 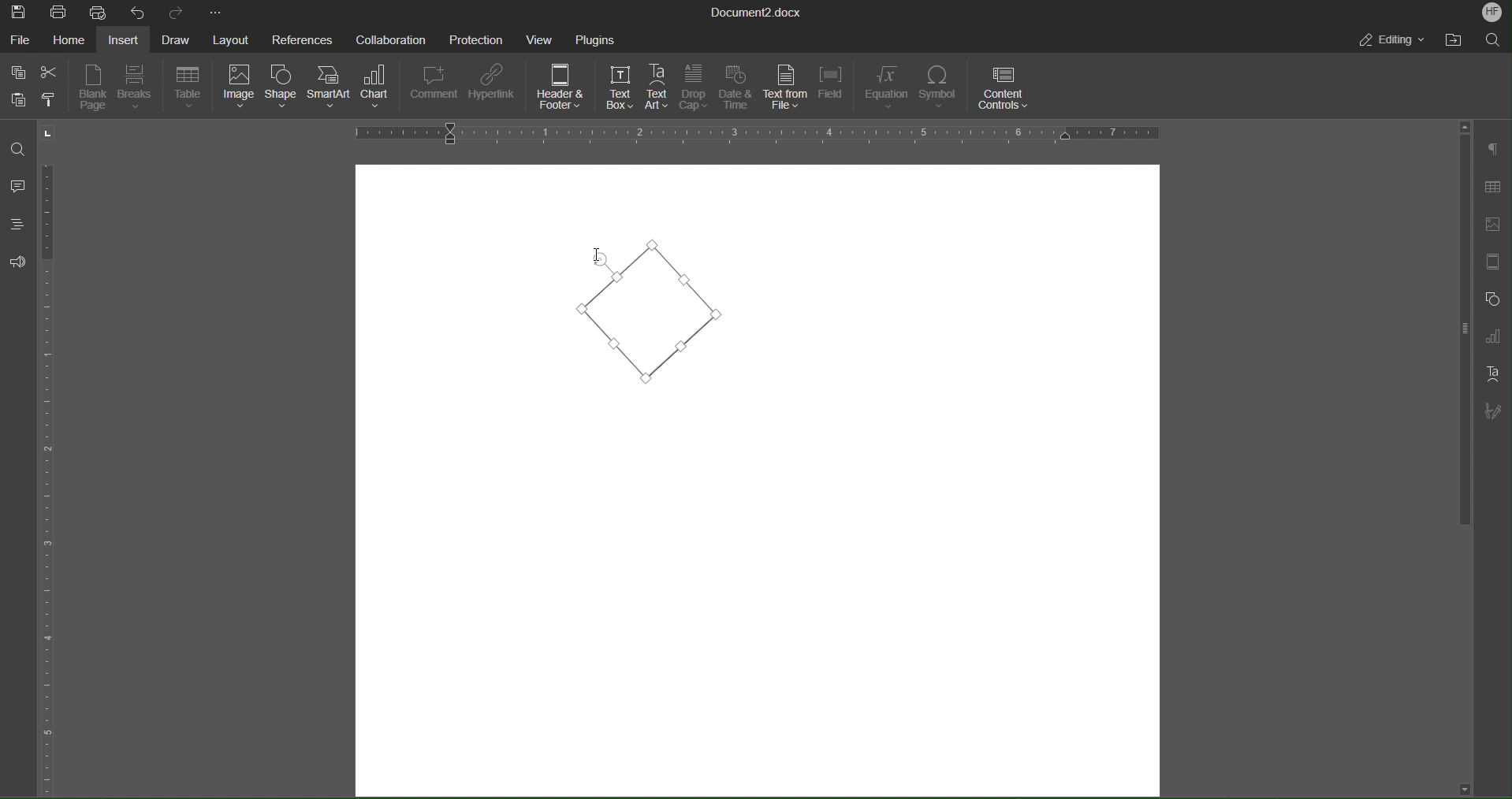 What do you see at coordinates (1492, 13) in the screenshot?
I see `Account` at bounding box center [1492, 13].